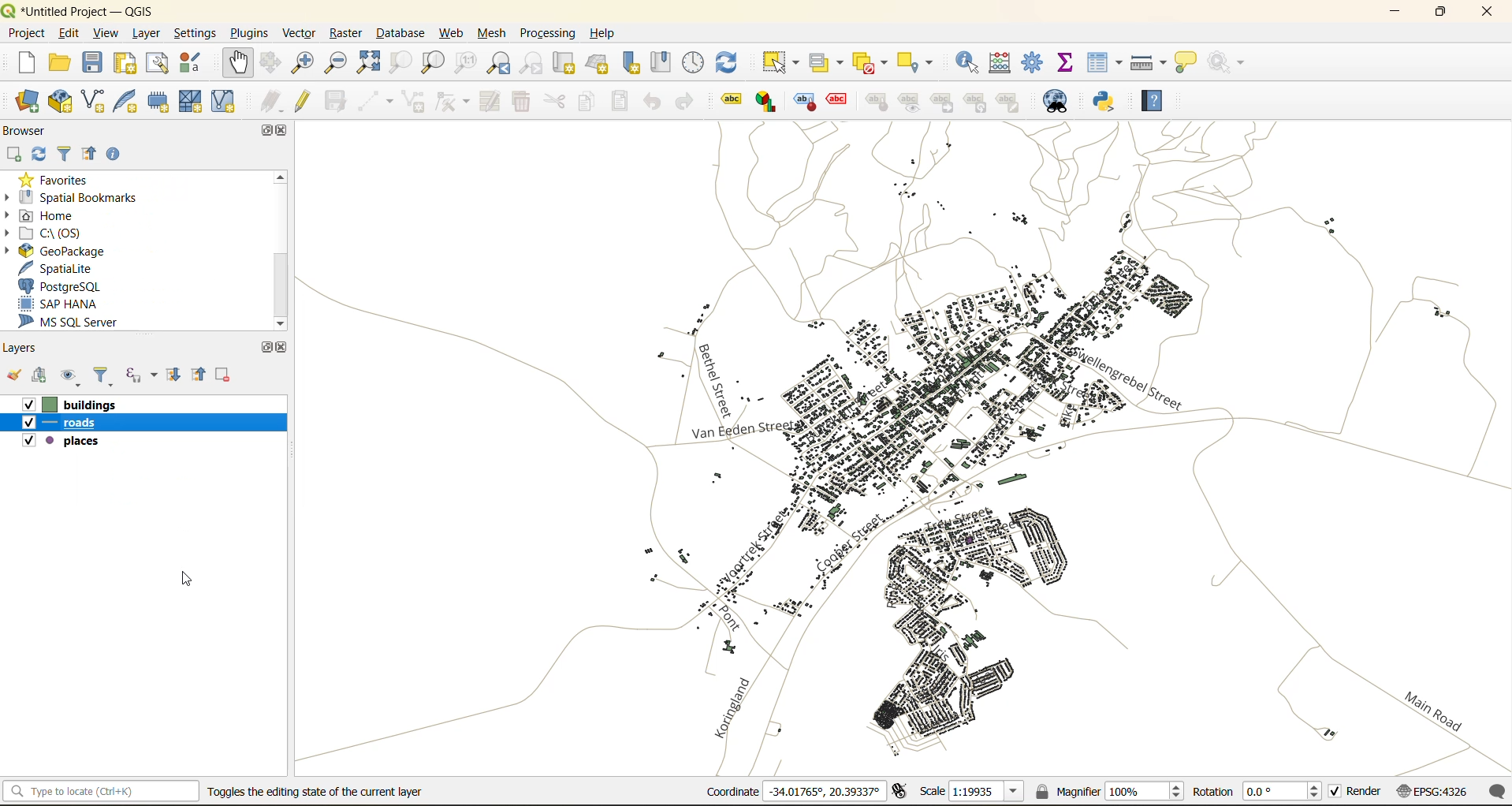 The width and height of the screenshot is (1512, 806). What do you see at coordinates (99, 792) in the screenshot?
I see `status bar` at bounding box center [99, 792].